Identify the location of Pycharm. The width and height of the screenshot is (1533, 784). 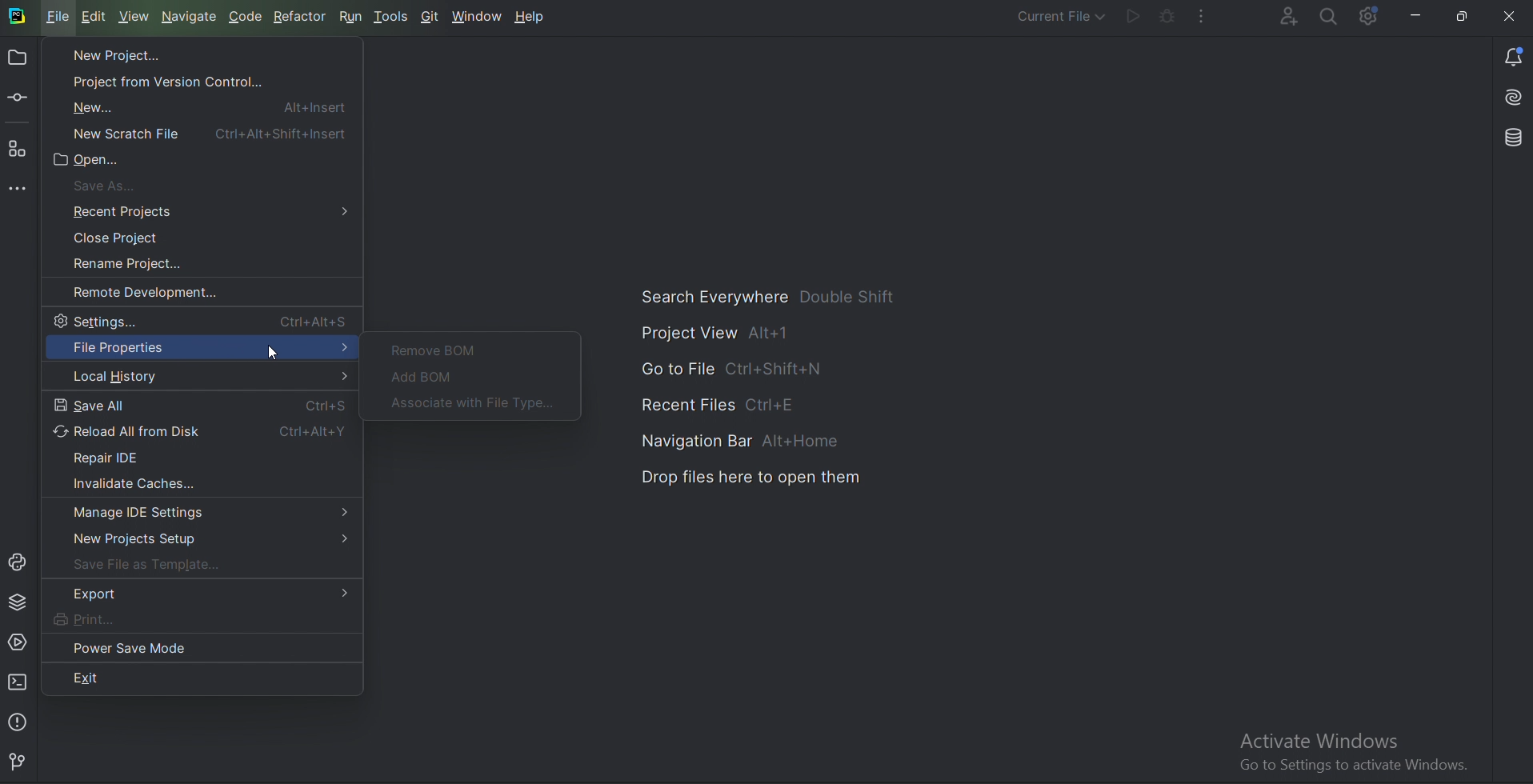
(18, 17).